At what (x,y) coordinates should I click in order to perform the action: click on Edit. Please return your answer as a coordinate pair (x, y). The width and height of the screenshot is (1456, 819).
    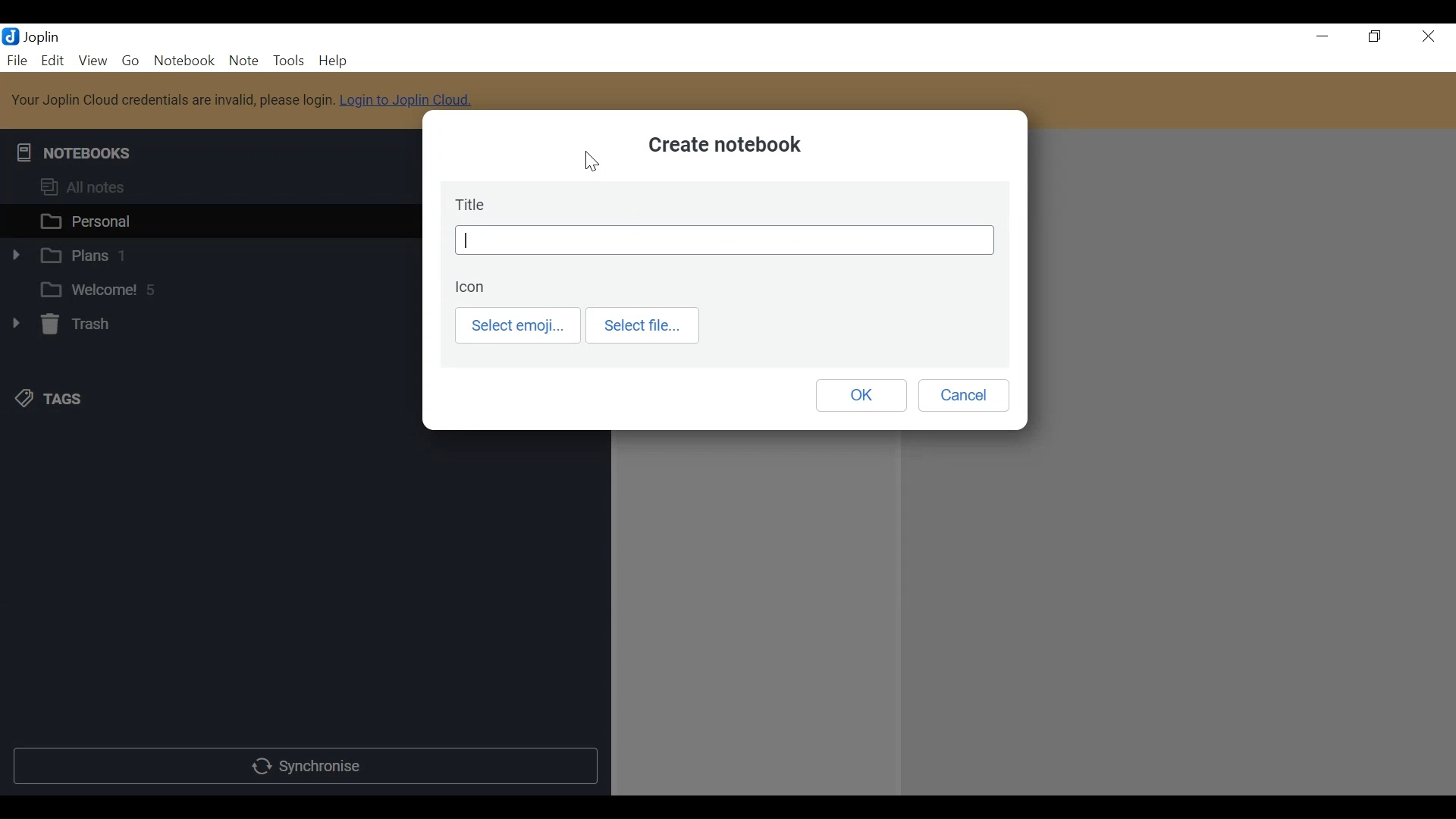
    Looking at the image, I should click on (51, 60).